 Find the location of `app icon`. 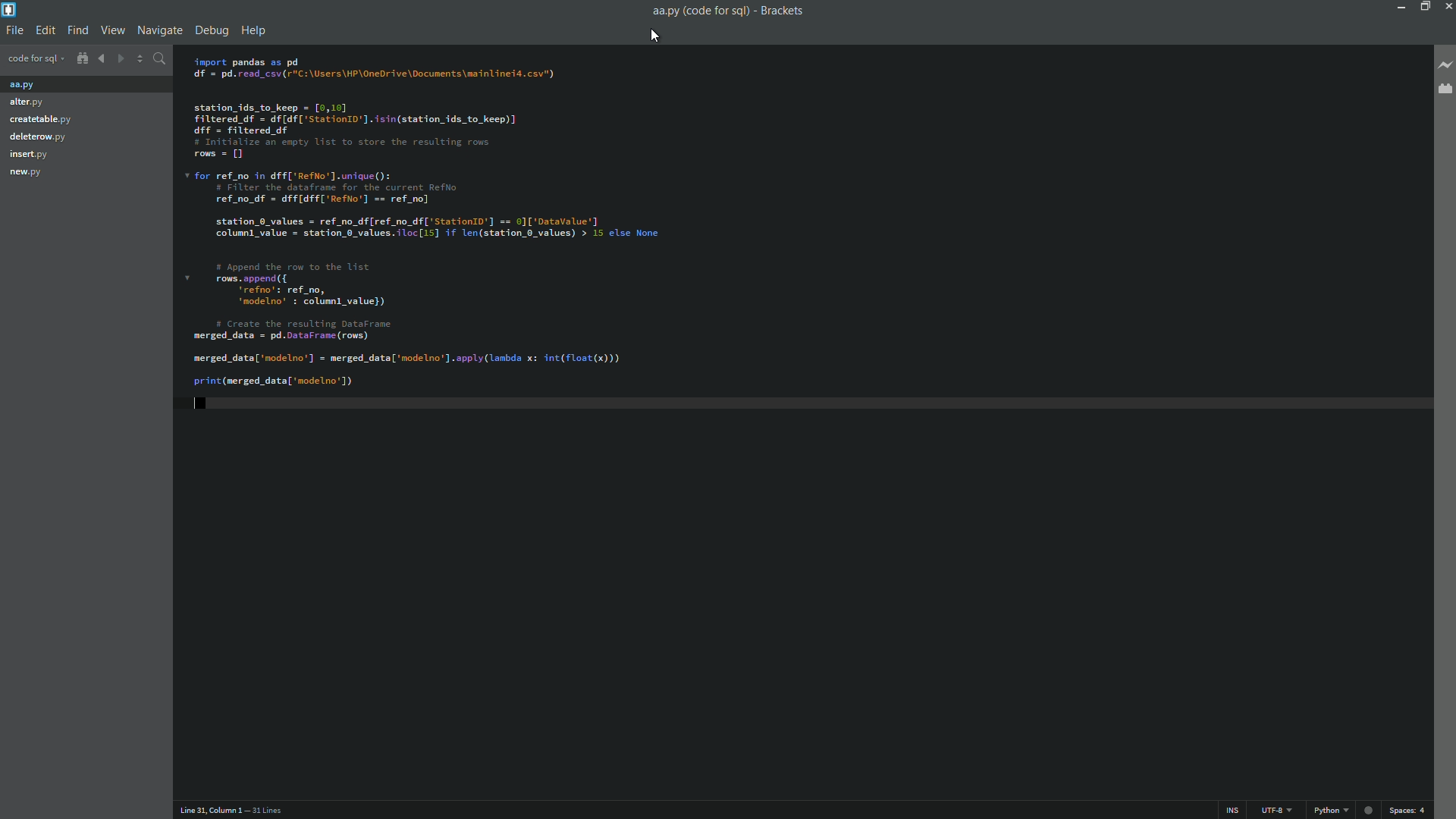

app icon is located at coordinates (9, 10).